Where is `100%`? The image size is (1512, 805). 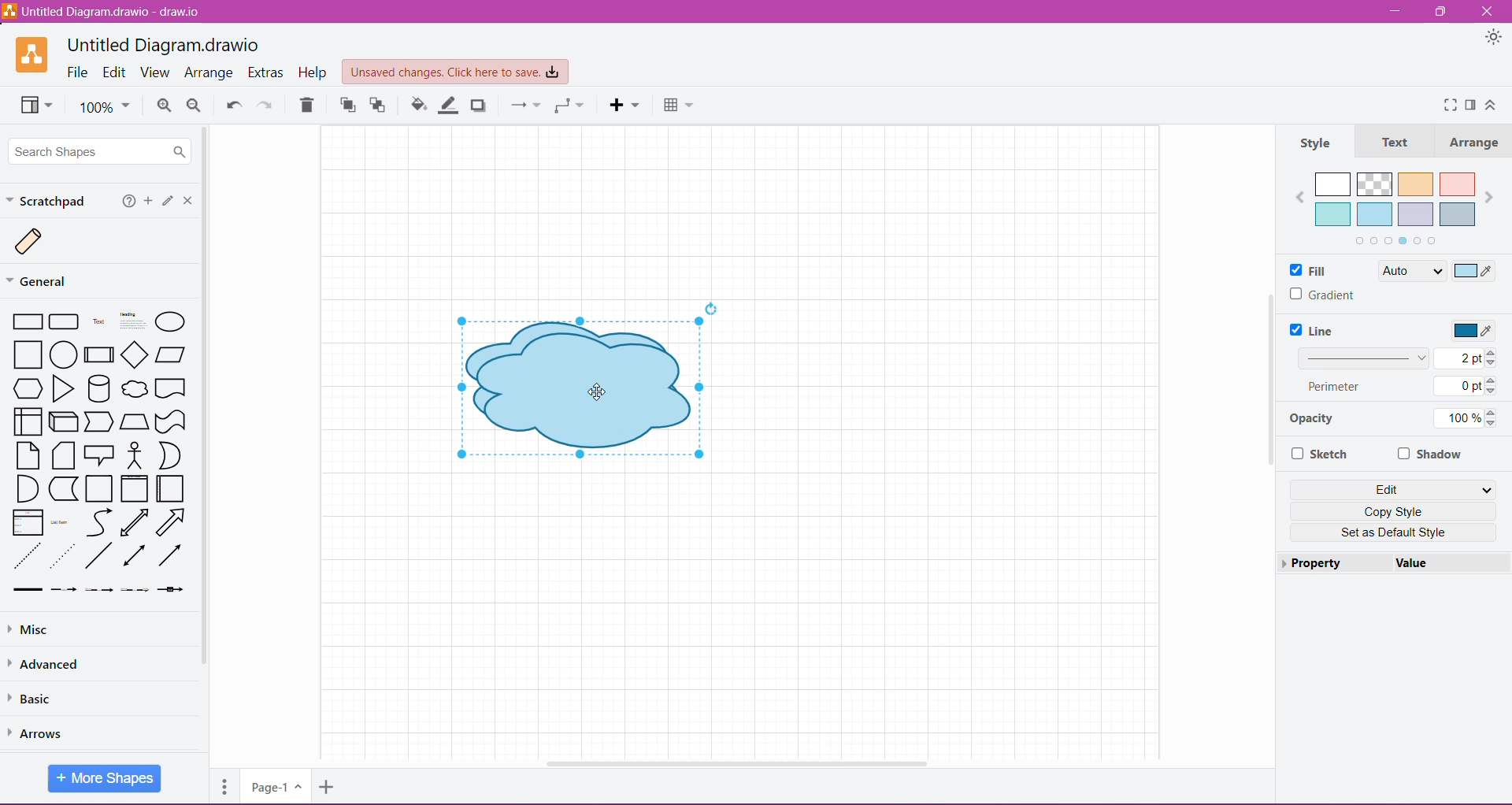 100% is located at coordinates (105, 108).